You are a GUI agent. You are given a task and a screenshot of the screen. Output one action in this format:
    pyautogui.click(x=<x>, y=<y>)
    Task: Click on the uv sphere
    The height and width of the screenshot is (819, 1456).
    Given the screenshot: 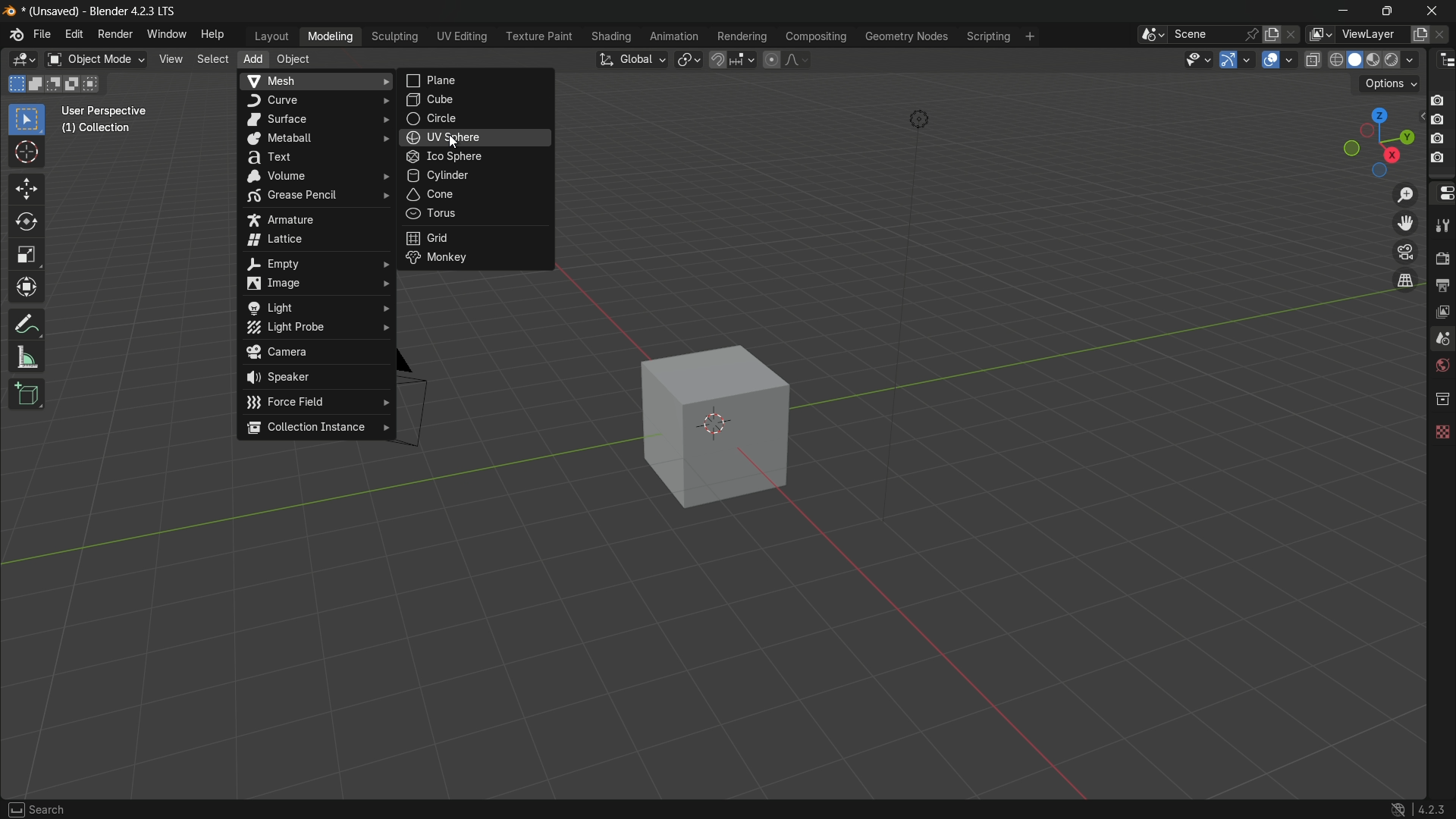 What is the action you would take?
    pyautogui.click(x=481, y=139)
    